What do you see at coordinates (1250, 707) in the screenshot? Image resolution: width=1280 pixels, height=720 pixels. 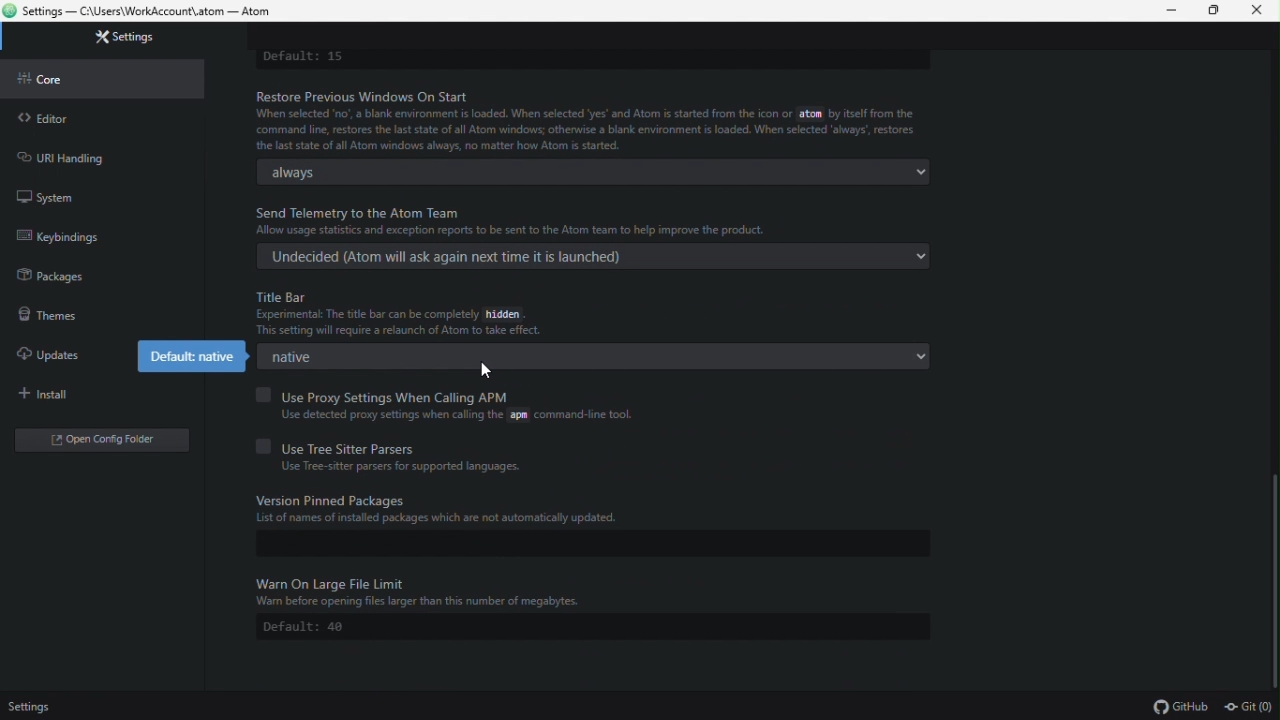 I see `git` at bounding box center [1250, 707].